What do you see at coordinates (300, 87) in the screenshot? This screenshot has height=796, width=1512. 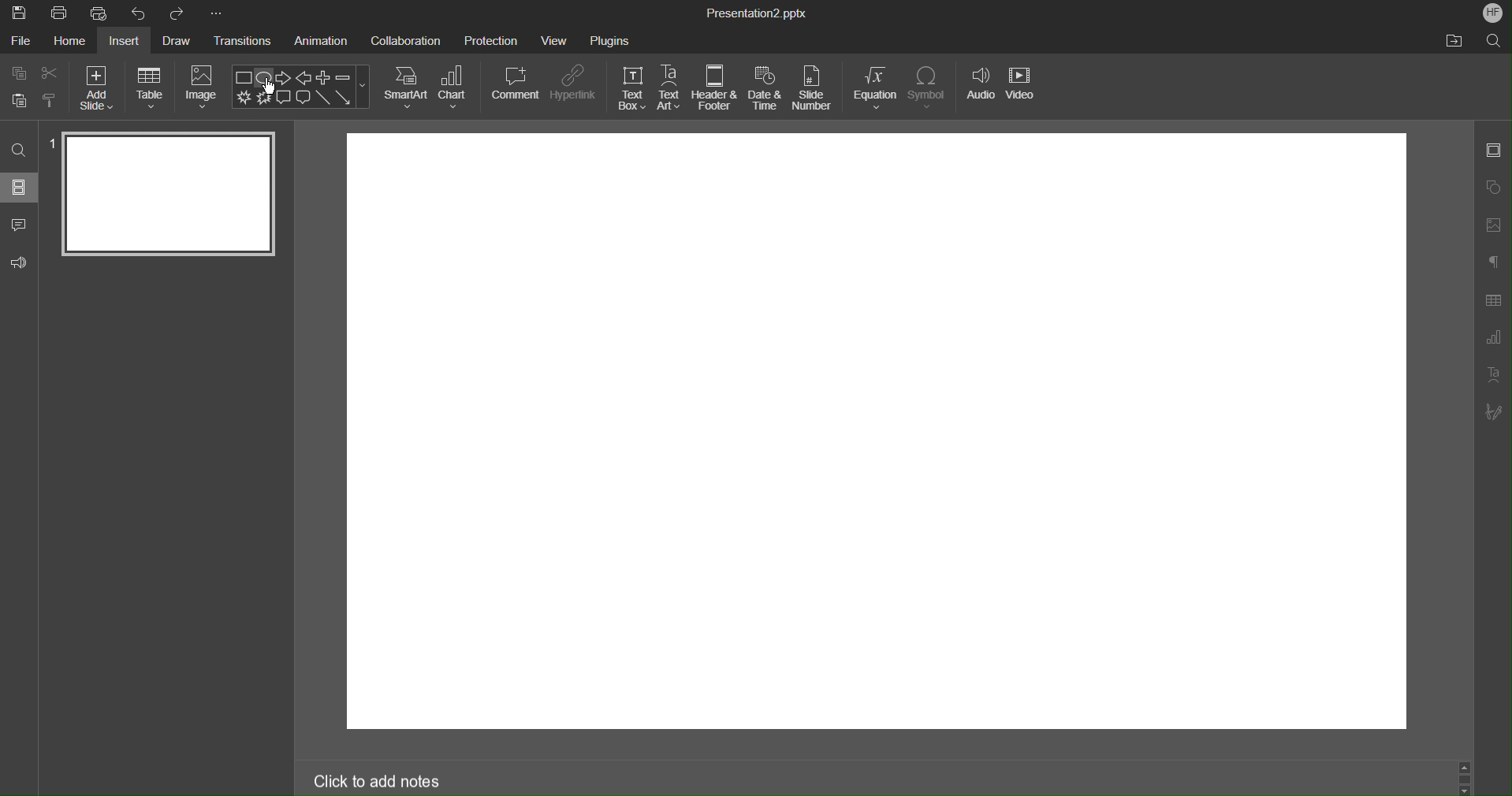 I see `Shape Menu` at bounding box center [300, 87].